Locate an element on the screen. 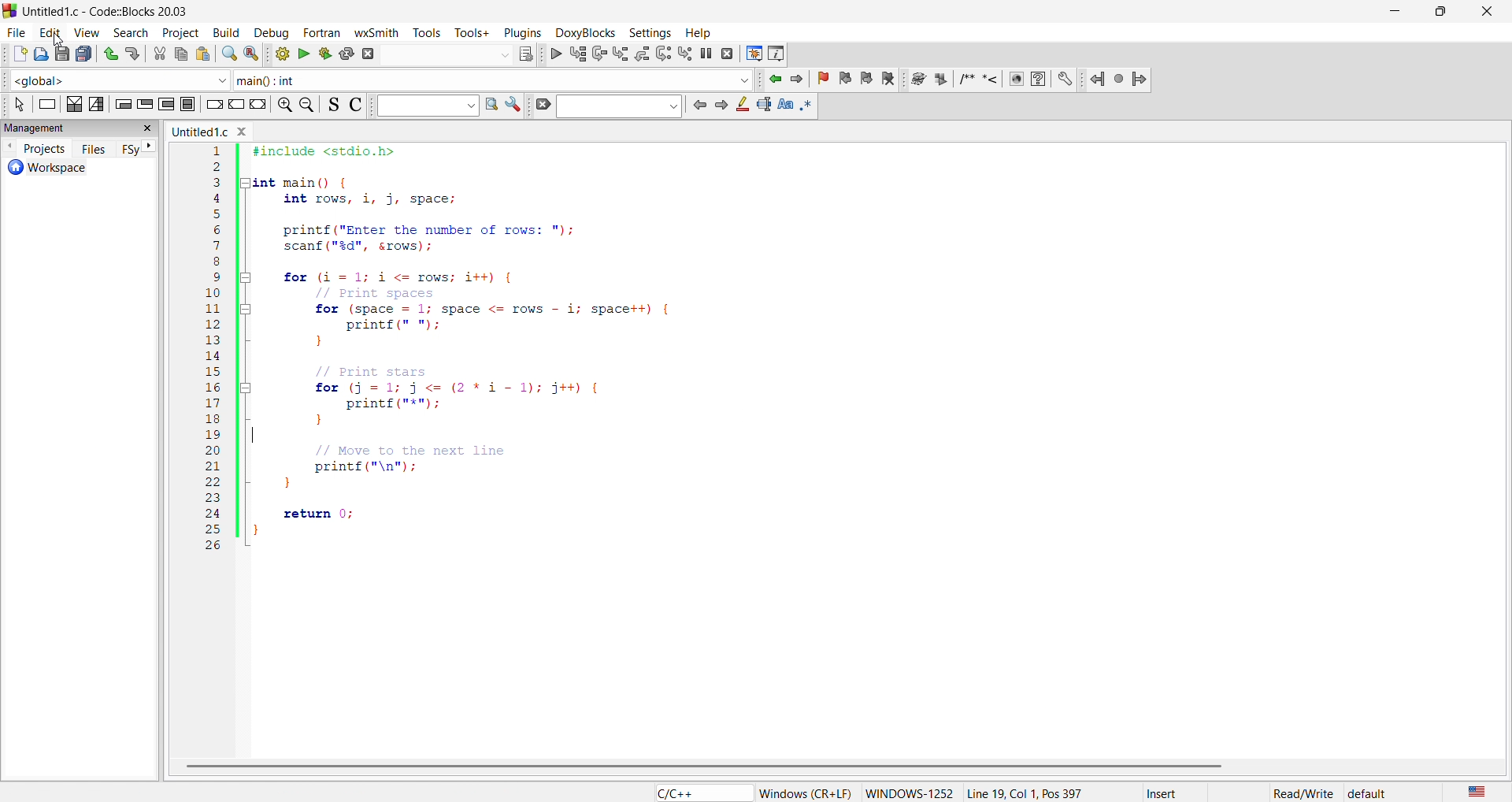 Image resolution: width=1512 pixels, height=802 pixels. inputbox is located at coordinates (623, 106).